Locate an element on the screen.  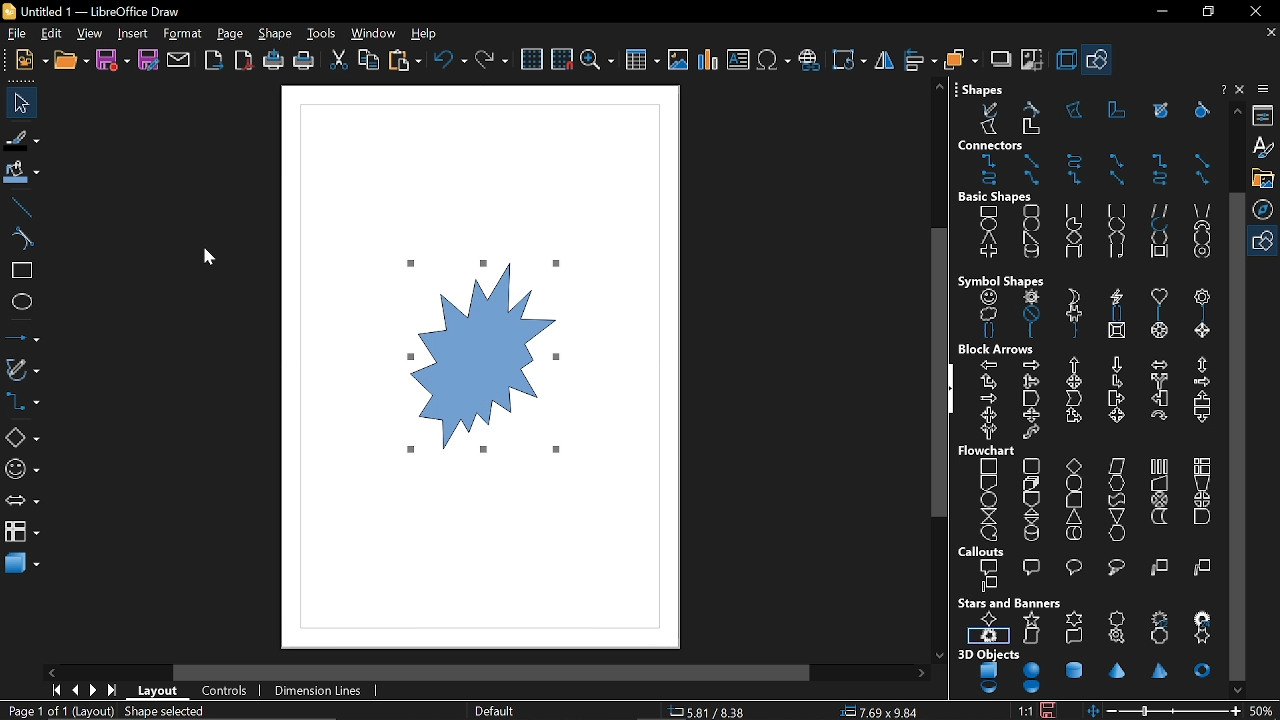
Insert image is located at coordinates (679, 60).